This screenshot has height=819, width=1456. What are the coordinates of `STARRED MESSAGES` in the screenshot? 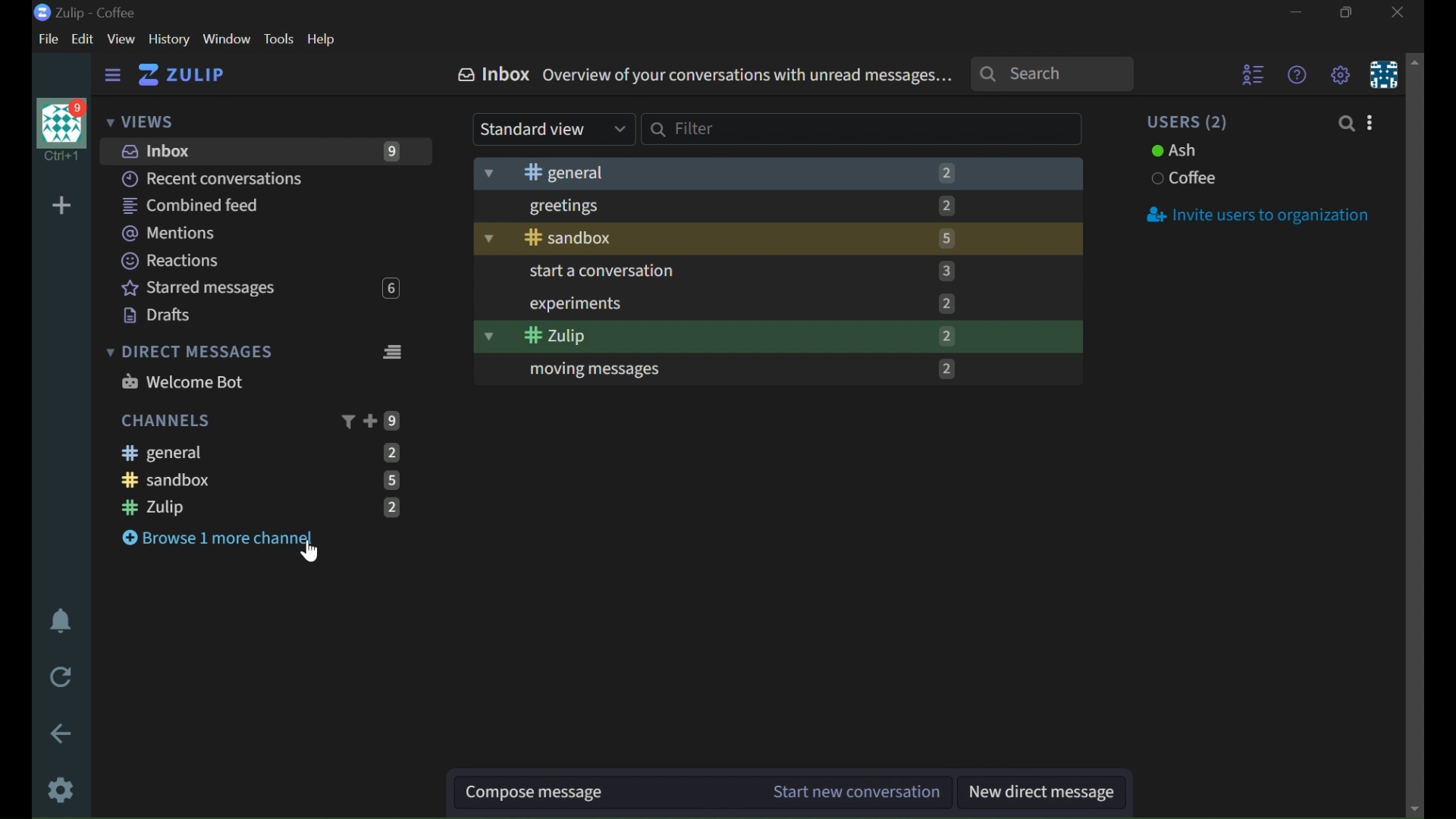 It's located at (259, 285).